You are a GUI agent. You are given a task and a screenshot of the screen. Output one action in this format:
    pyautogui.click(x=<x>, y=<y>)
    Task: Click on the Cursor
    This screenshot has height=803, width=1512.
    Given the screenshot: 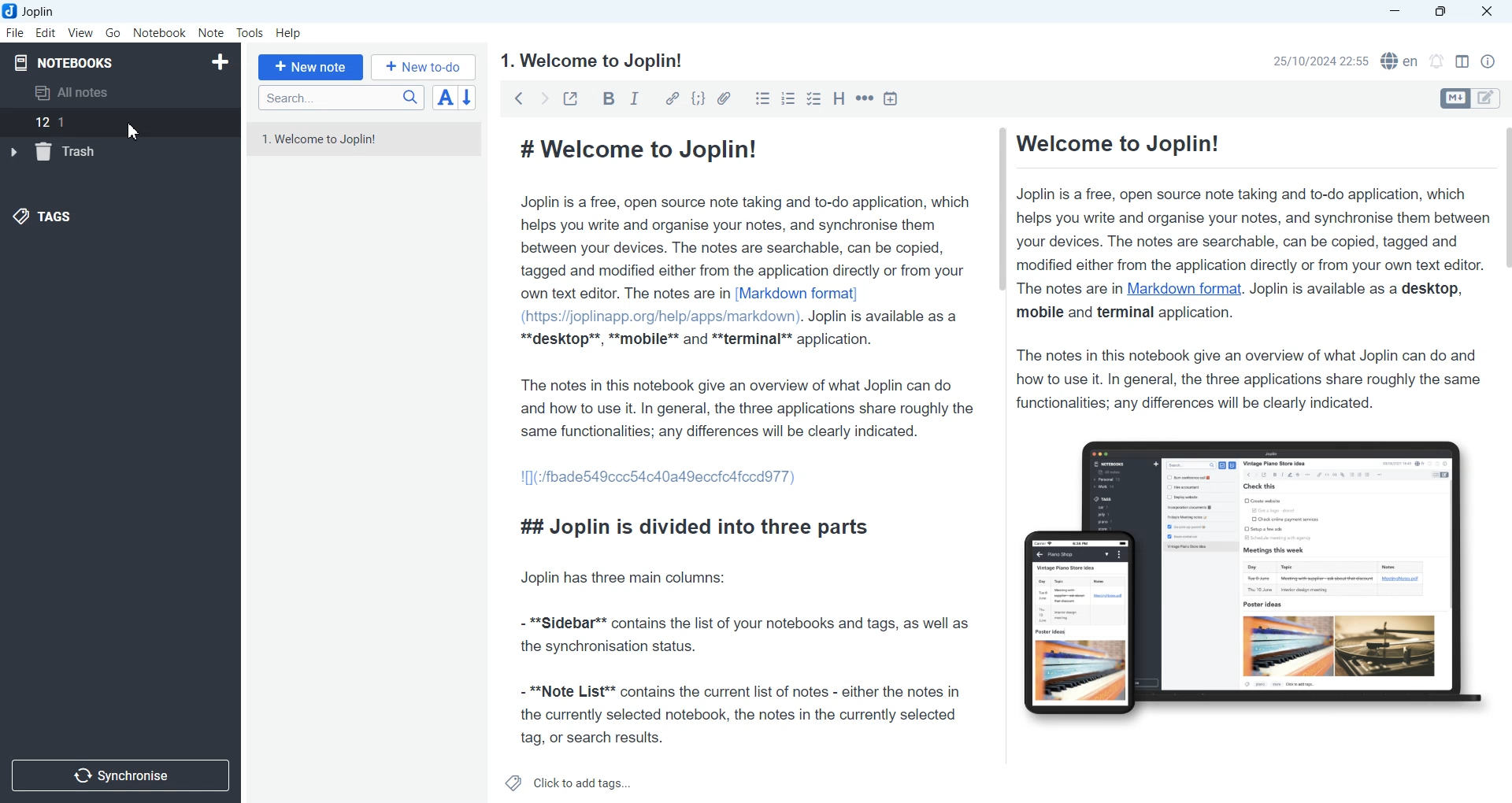 What is the action you would take?
    pyautogui.click(x=132, y=132)
    